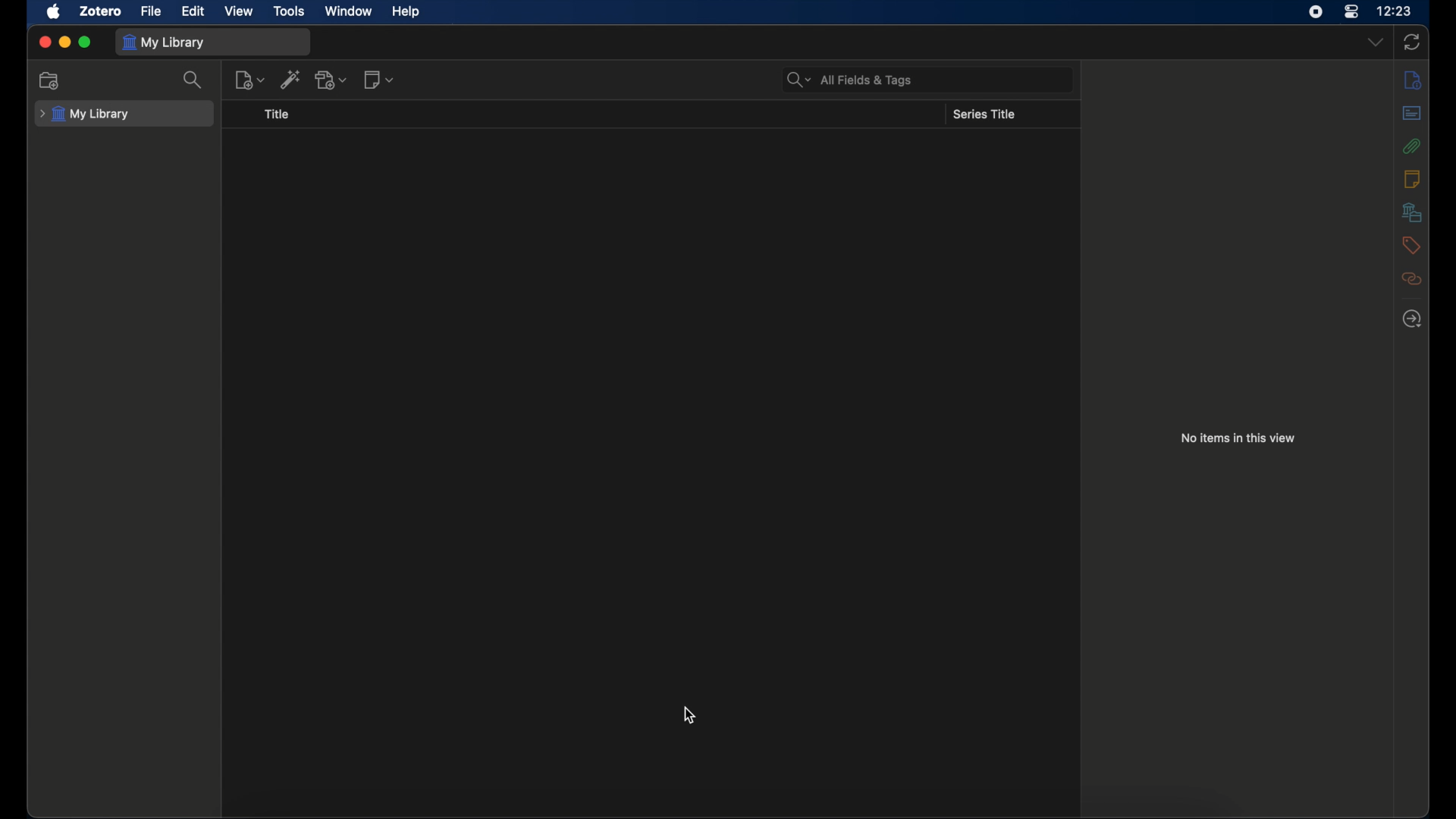 This screenshot has height=819, width=1456. Describe the element at coordinates (1410, 245) in the screenshot. I see `tags` at that location.